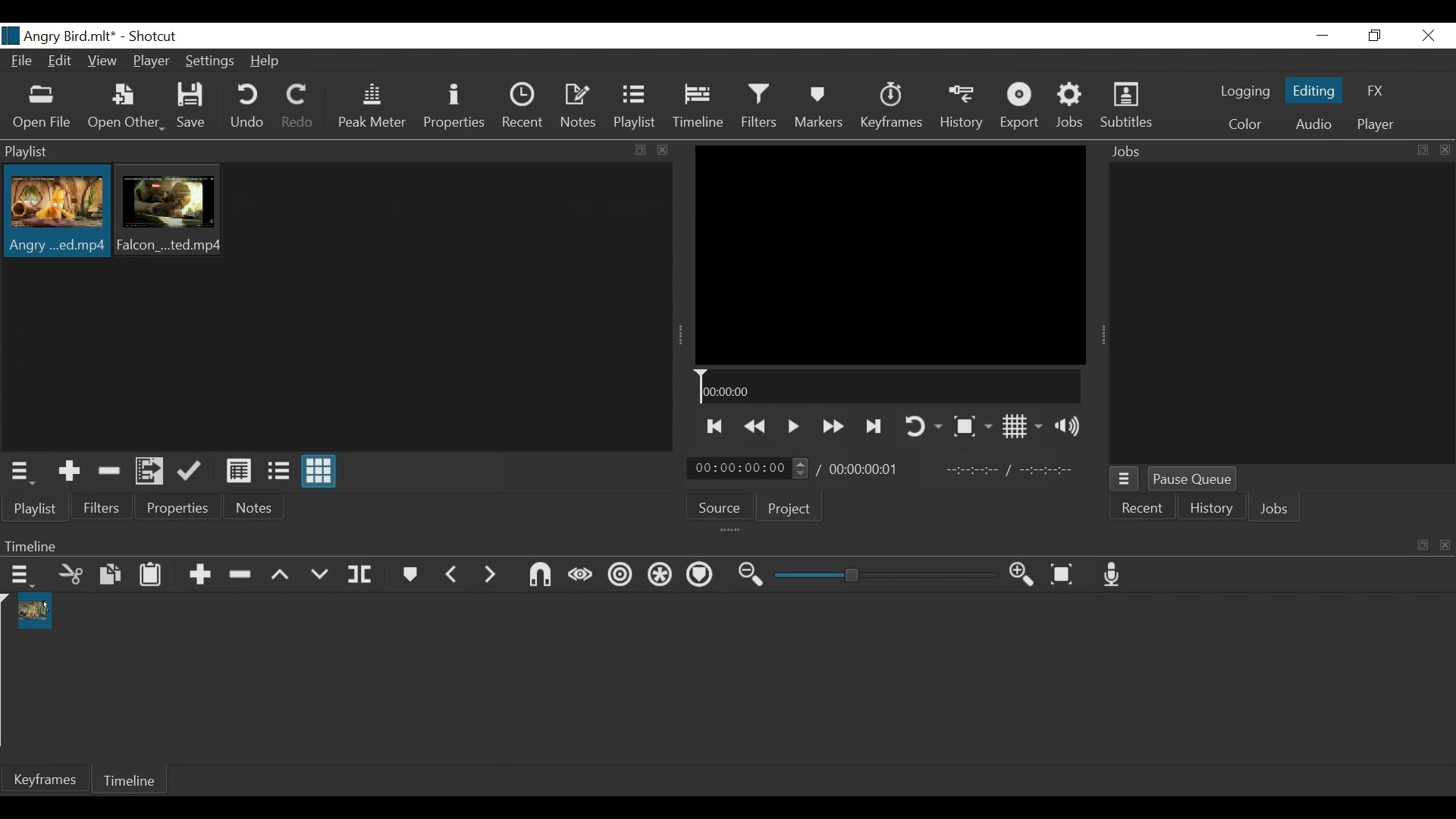  Describe the element at coordinates (890, 255) in the screenshot. I see `Media Viewer` at that location.